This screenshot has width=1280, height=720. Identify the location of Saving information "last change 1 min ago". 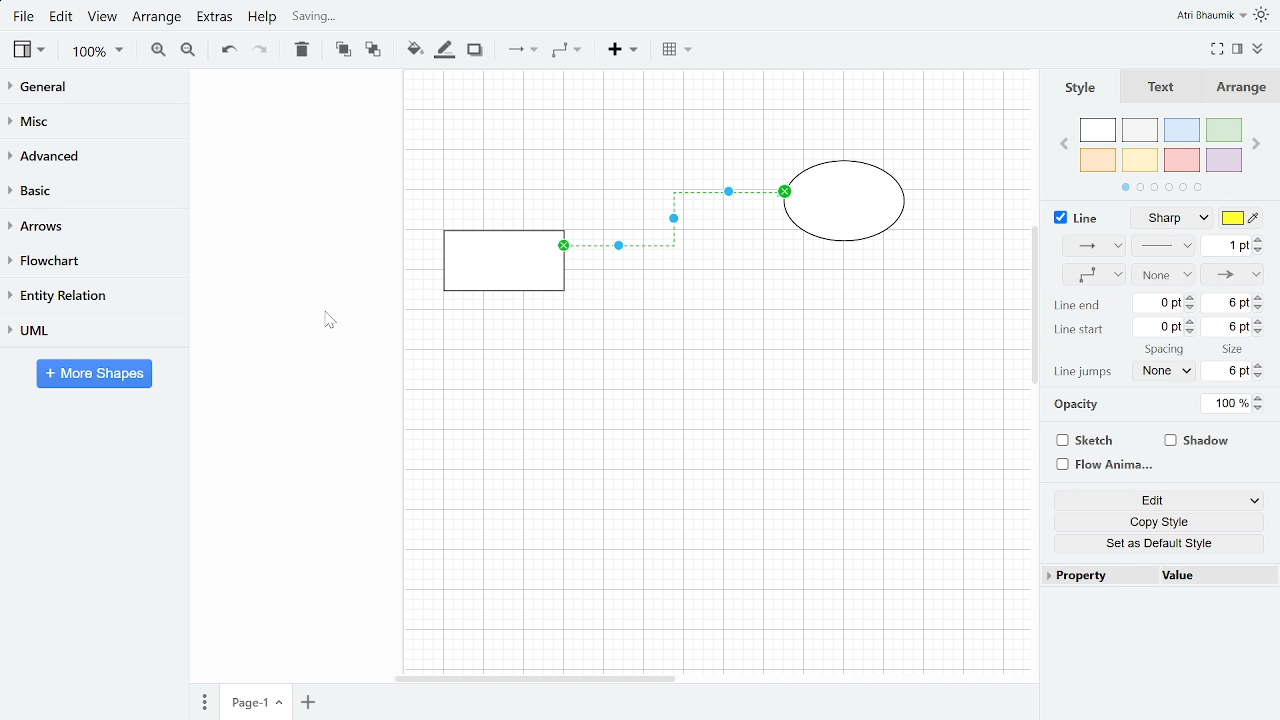
(370, 17).